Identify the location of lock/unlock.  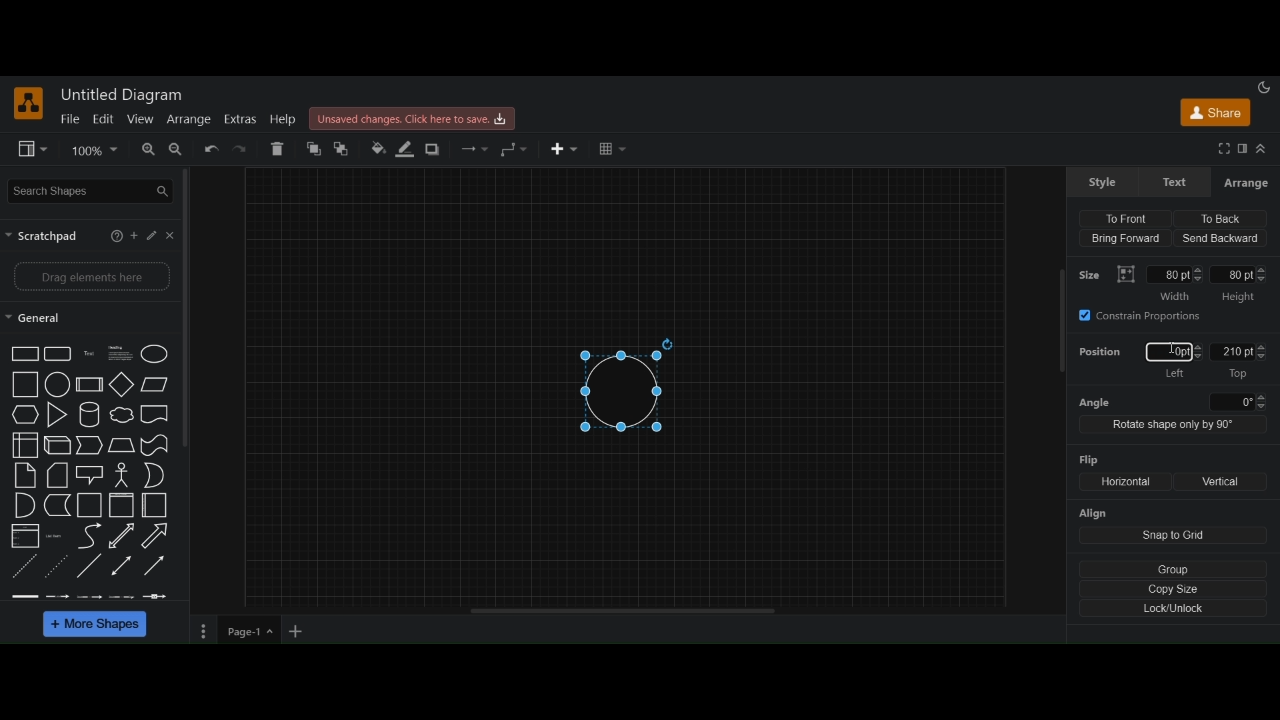
(1175, 609).